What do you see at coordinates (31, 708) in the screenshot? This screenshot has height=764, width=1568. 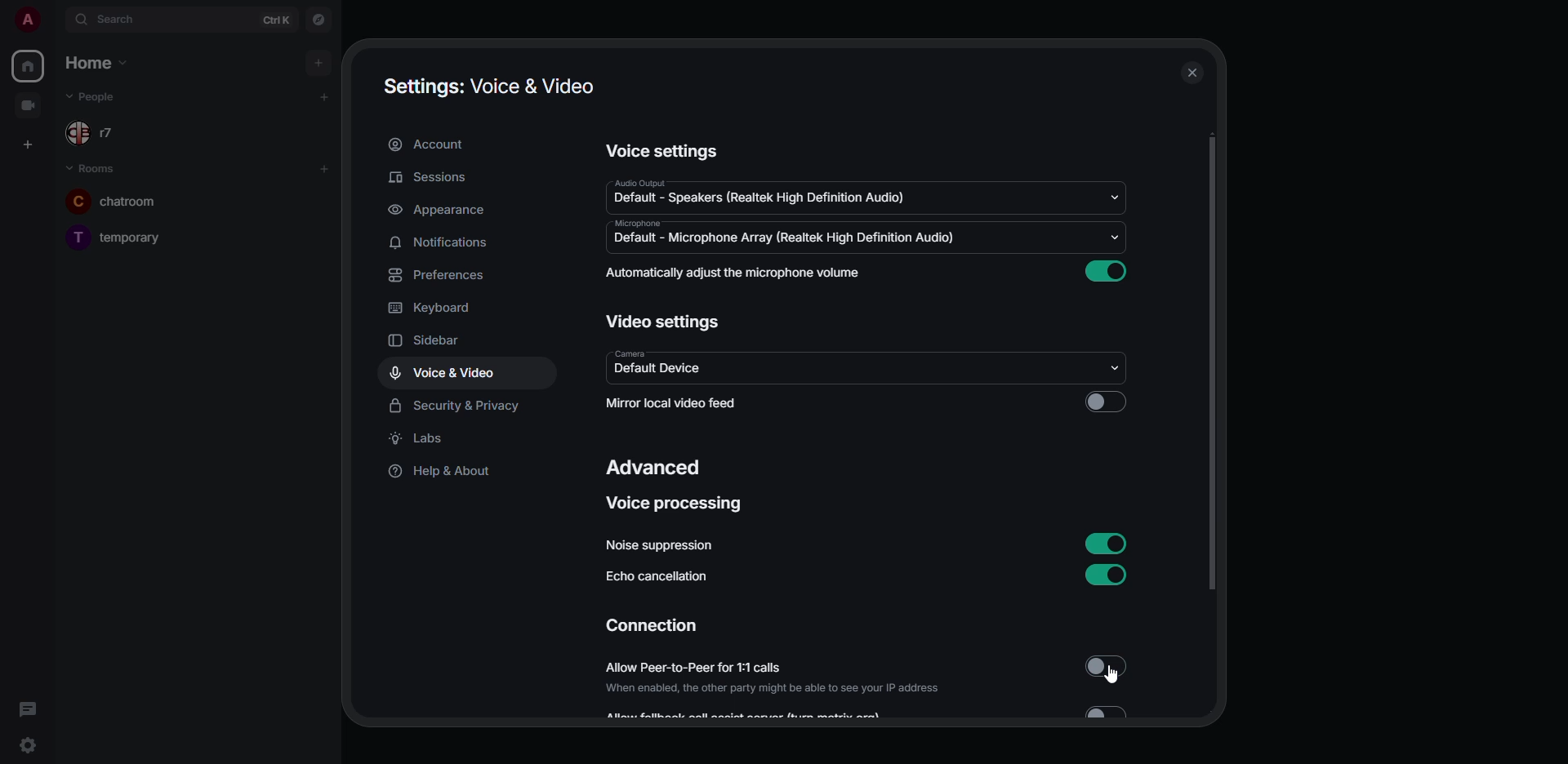 I see `threads` at bounding box center [31, 708].